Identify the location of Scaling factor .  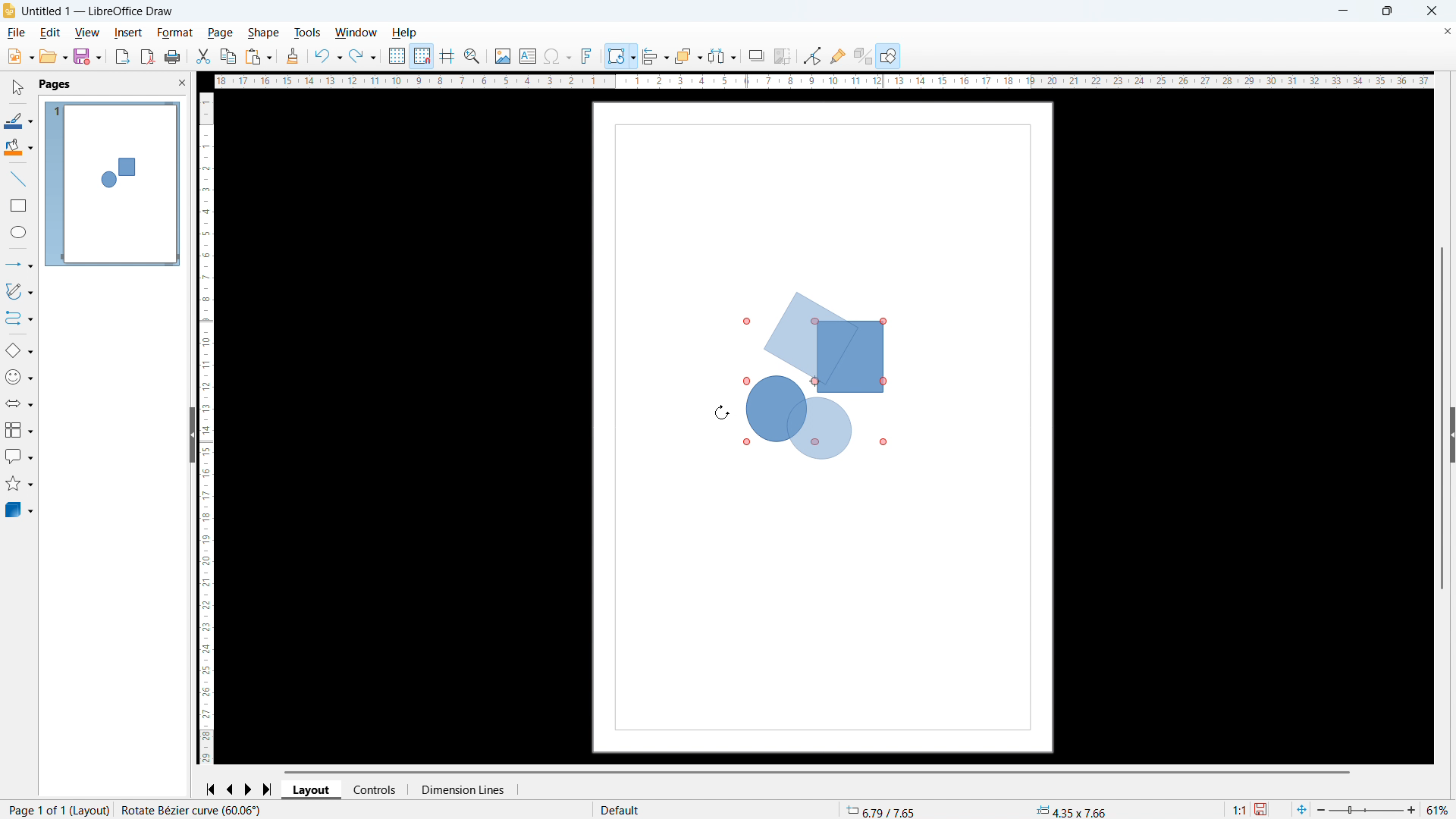
(1241, 810).